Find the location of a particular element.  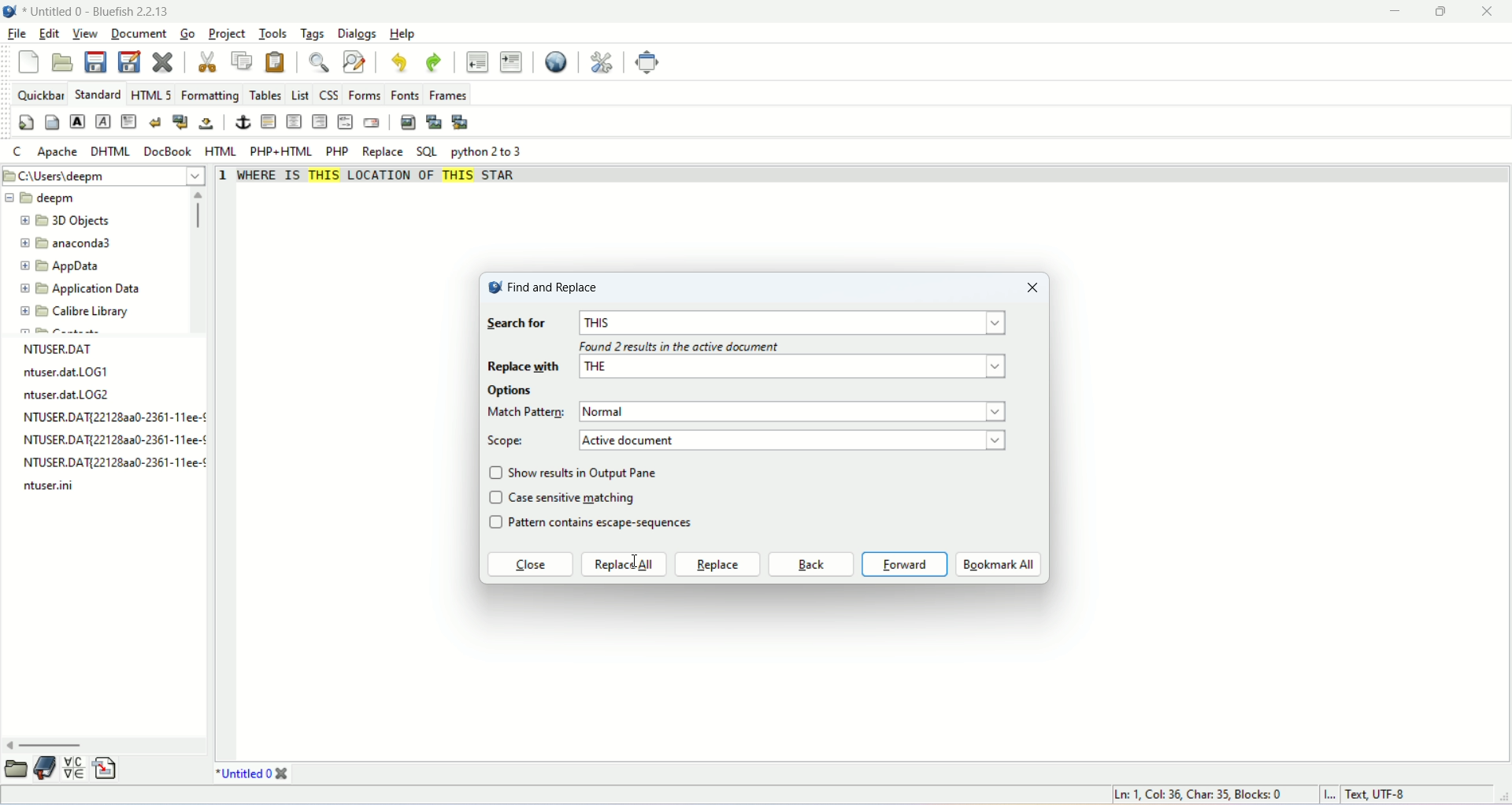

document is located at coordinates (141, 33).